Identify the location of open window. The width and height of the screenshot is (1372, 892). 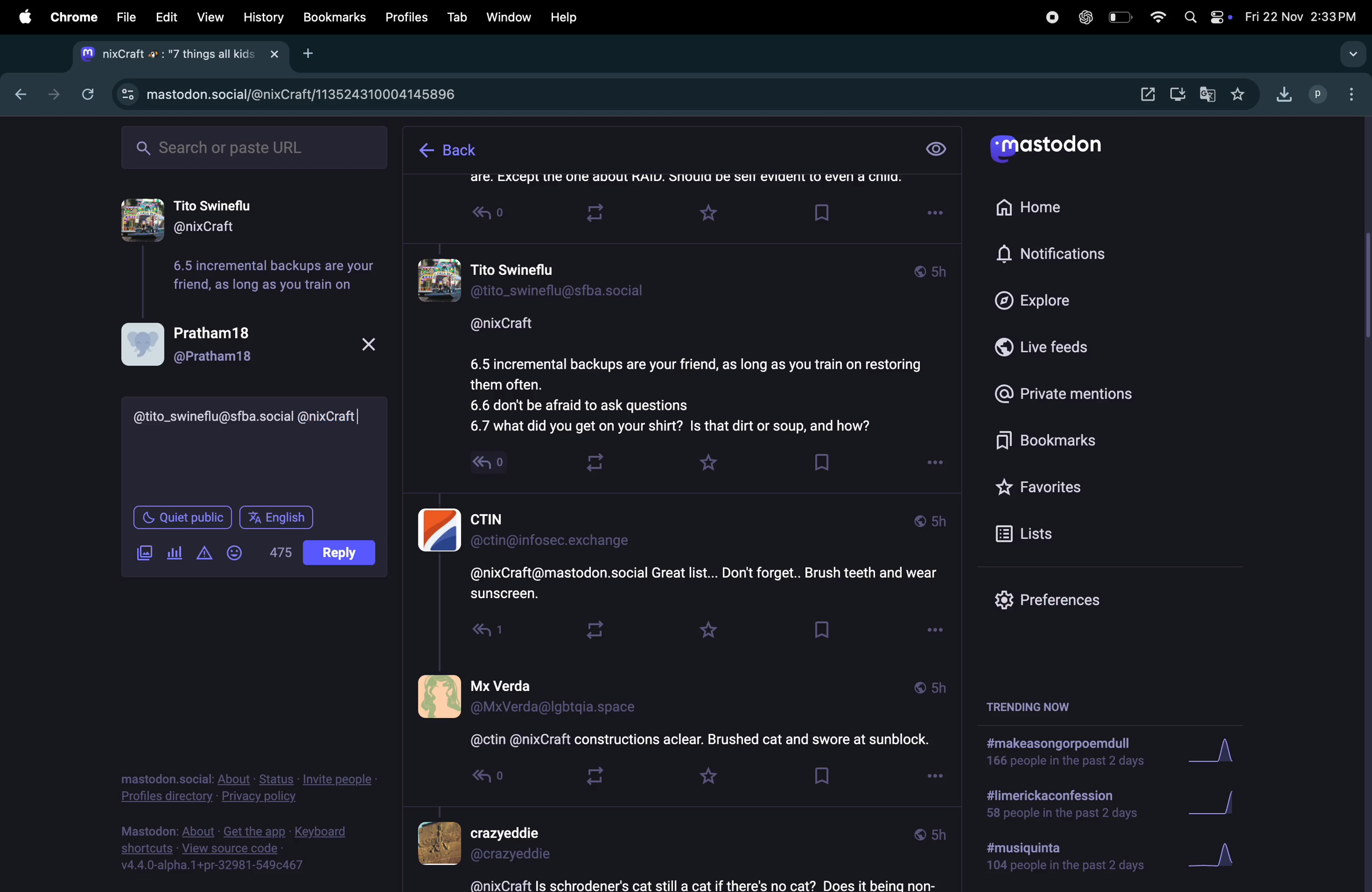
(1148, 95).